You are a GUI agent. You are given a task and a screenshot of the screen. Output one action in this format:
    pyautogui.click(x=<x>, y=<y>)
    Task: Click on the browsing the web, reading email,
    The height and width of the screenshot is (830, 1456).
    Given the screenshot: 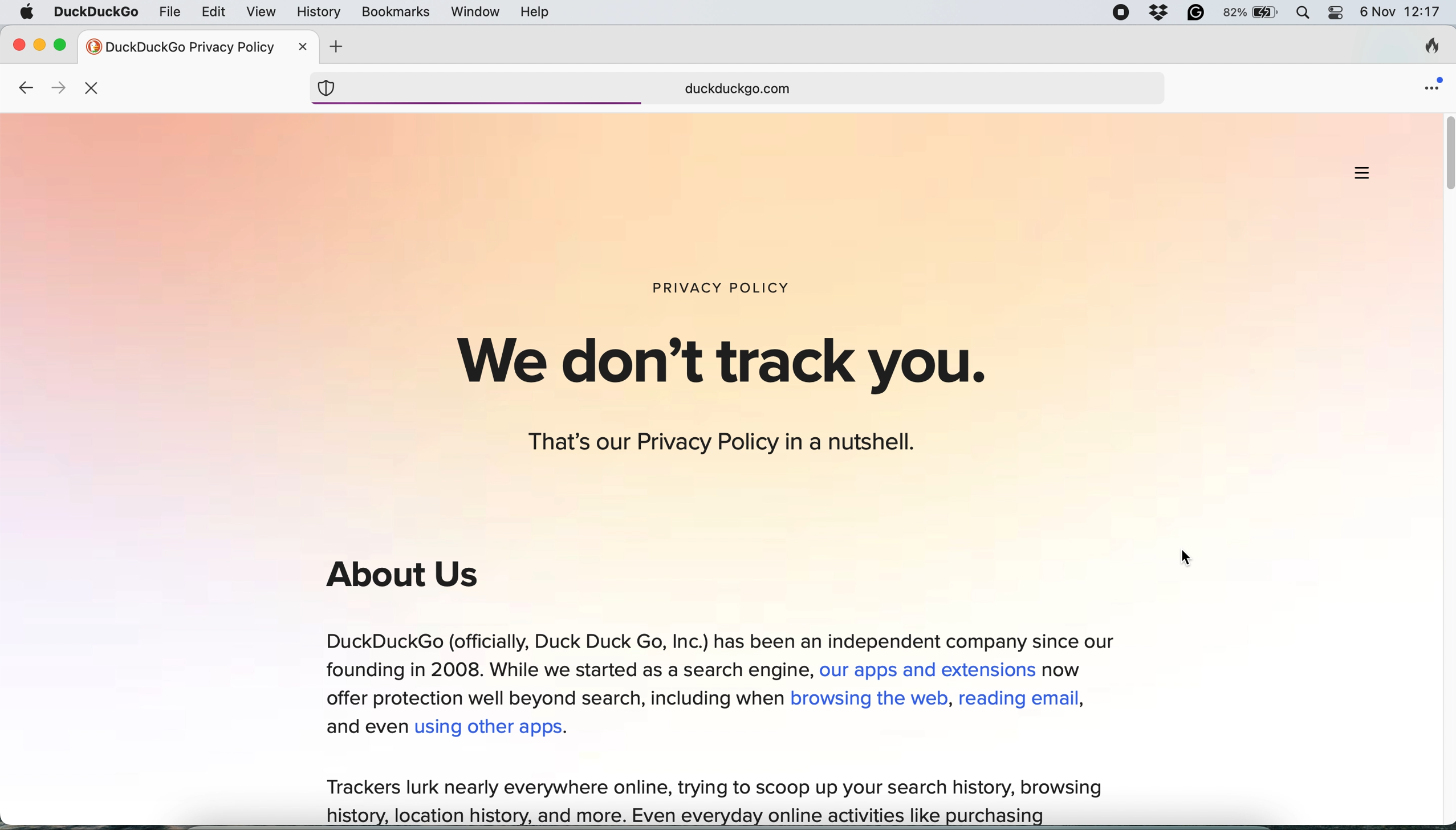 What is the action you would take?
    pyautogui.click(x=937, y=698)
    